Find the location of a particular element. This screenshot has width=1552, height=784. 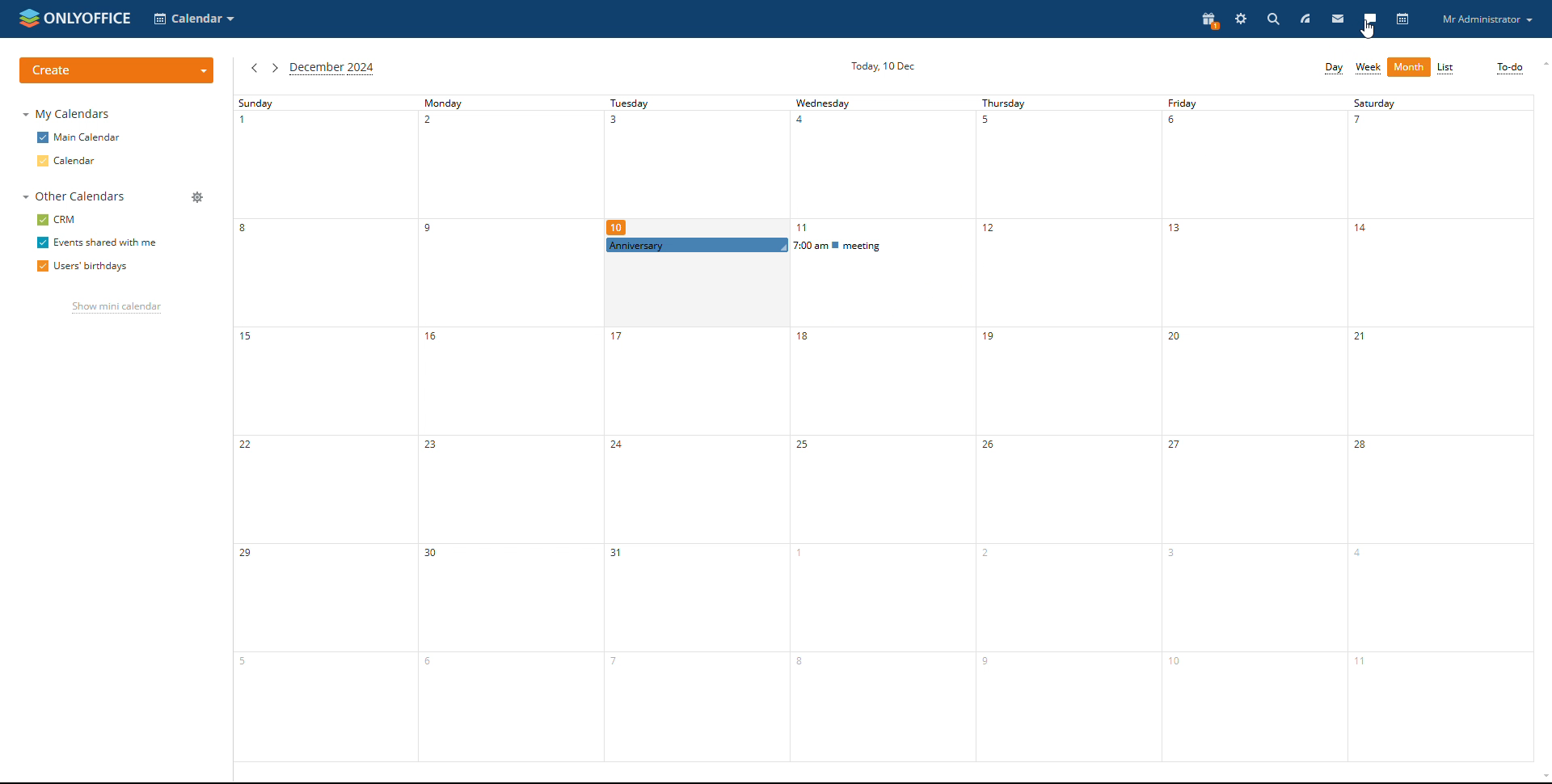

logo is located at coordinates (74, 18).